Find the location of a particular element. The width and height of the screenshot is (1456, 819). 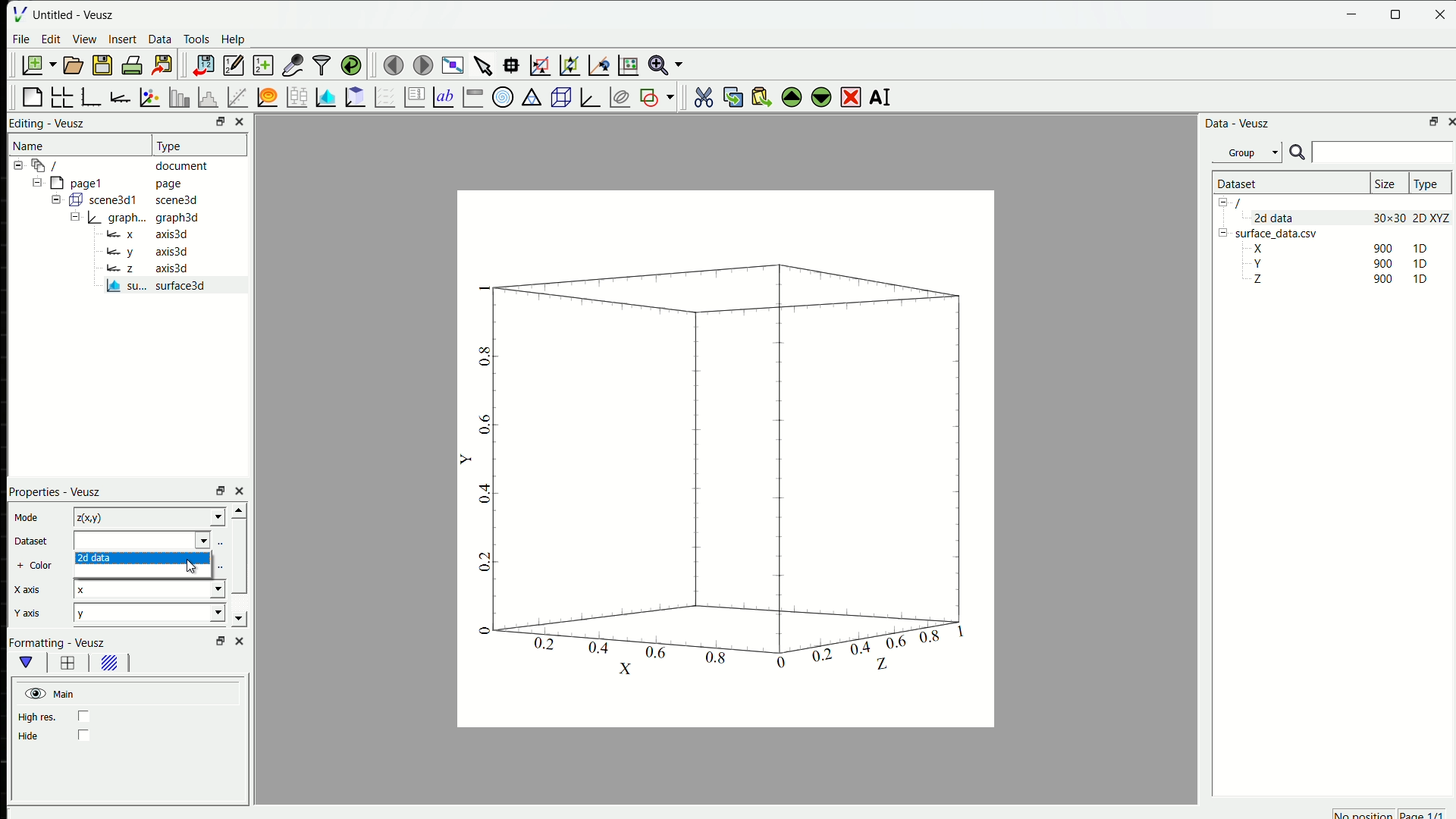

/ is located at coordinates (1240, 203).